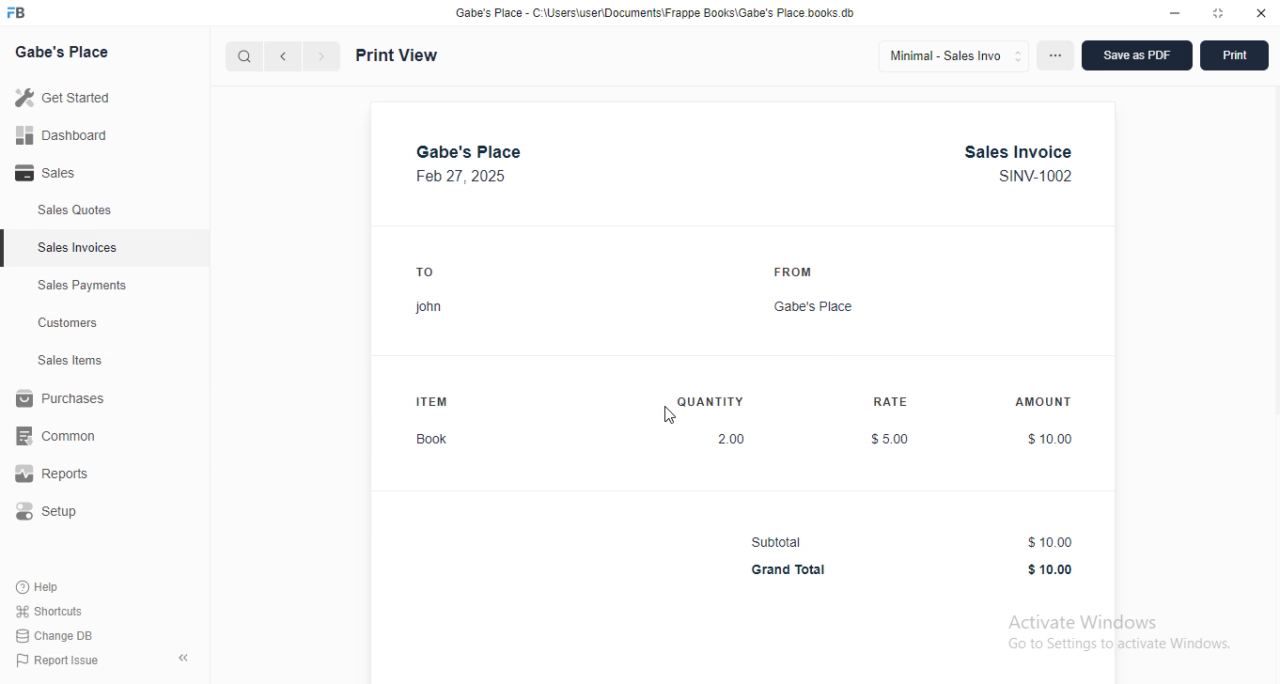  What do you see at coordinates (78, 248) in the screenshot?
I see `sales invoices` at bounding box center [78, 248].